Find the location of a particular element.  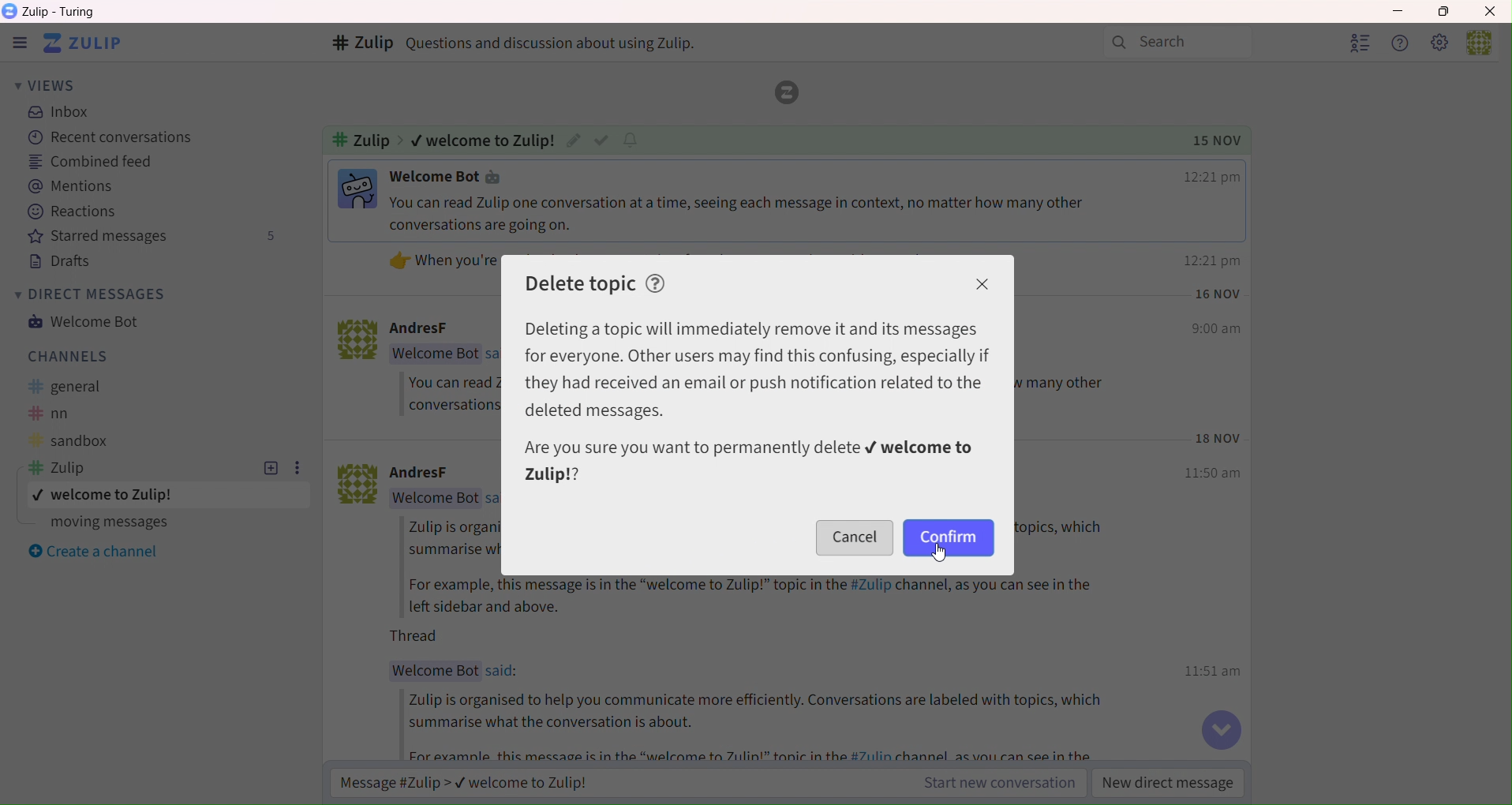

Recent Conversation is located at coordinates (105, 139).